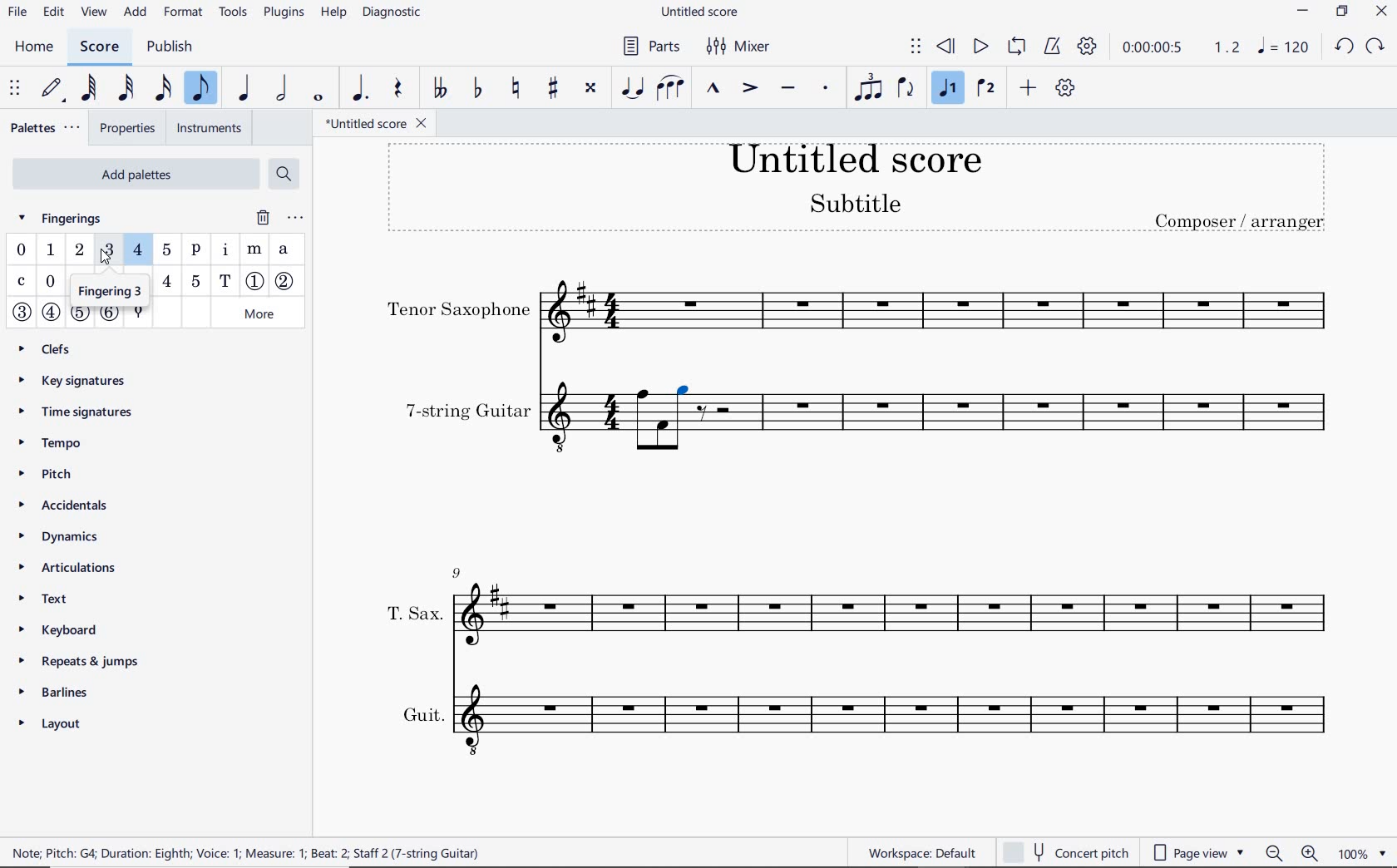  What do you see at coordinates (360, 89) in the screenshot?
I see `AUGMENTATION DOT` at bounding box center [360, 89].